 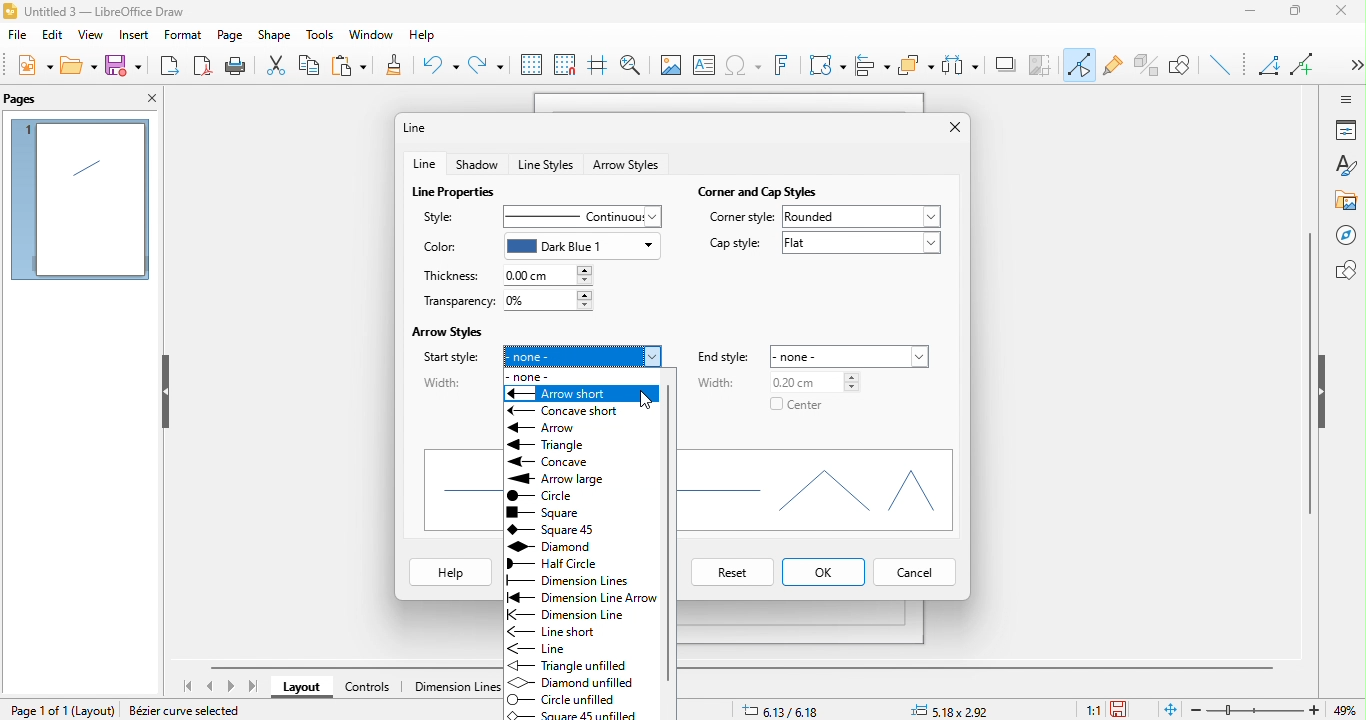 What do you see at coordinates (457, 190) in the screenshot?
I see `line properties` at bounding box center [457, 190].